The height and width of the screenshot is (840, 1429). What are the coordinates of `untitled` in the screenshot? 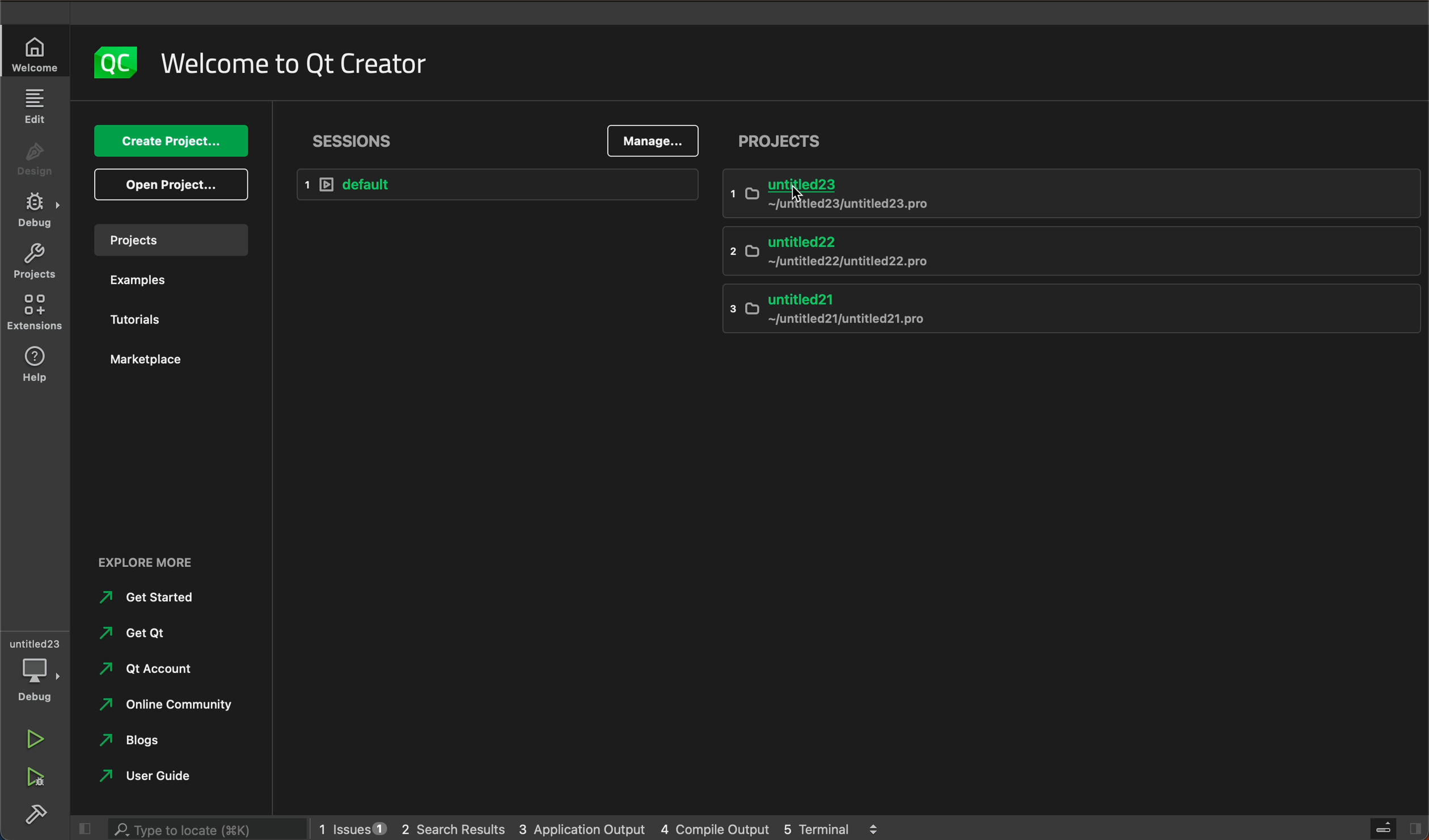 It's located at (1067, 251).